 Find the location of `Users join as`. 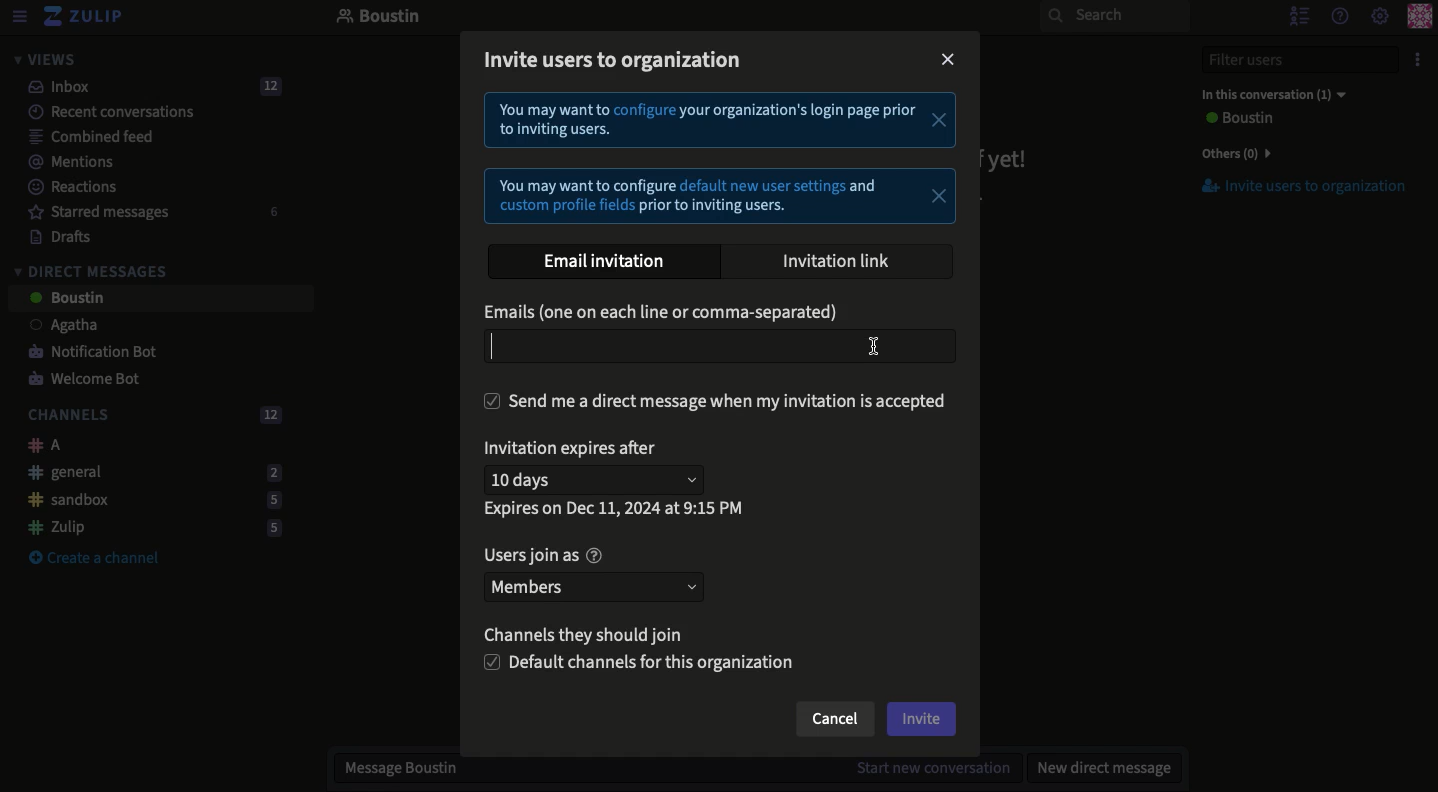

Users join as is located at coordinates (542, 555).